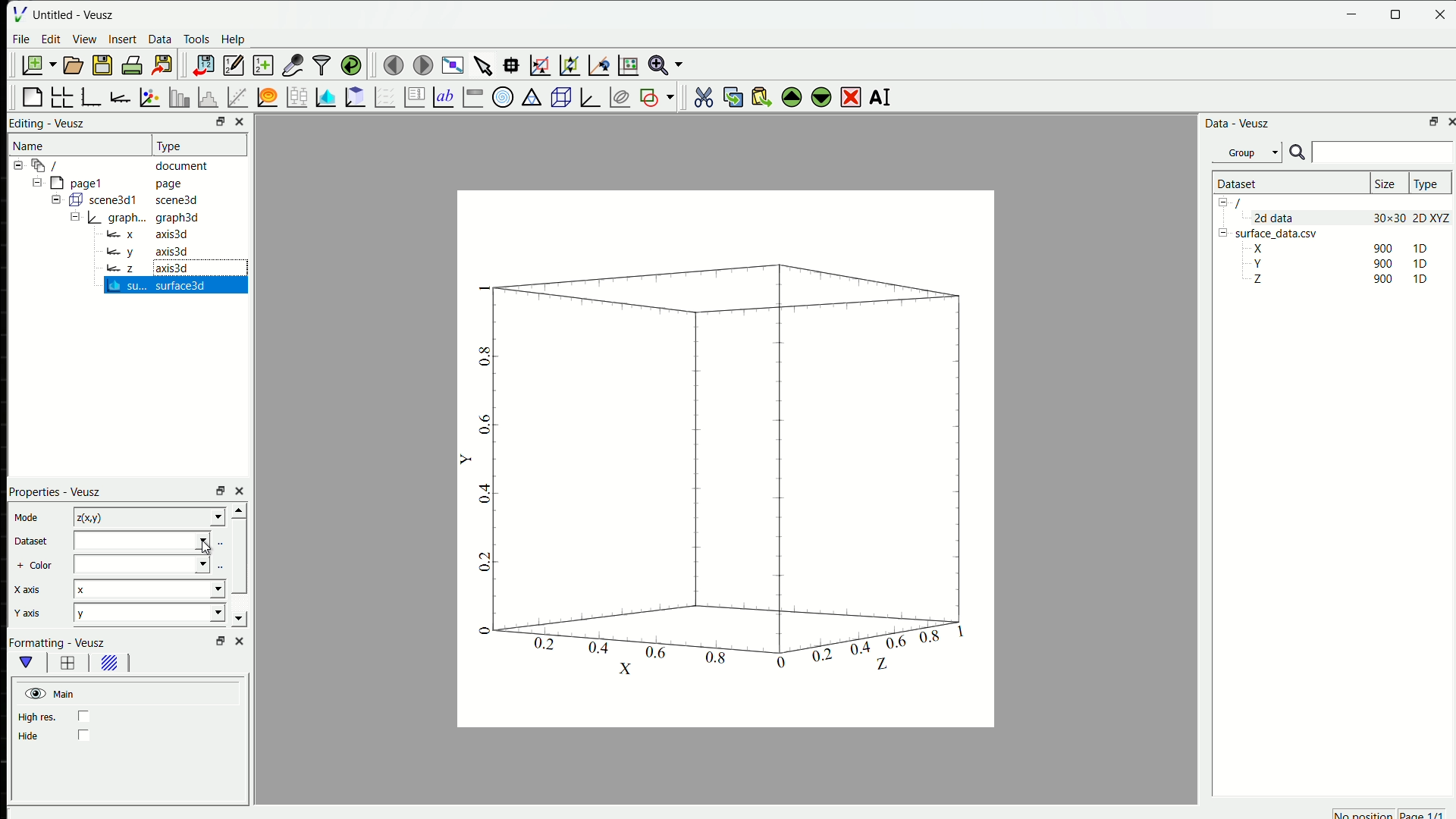 The width and height of the screenshot is (1456, 819). Describe the element at coordinates (322, 65) in the screenshot. I see `filter data` at that location.